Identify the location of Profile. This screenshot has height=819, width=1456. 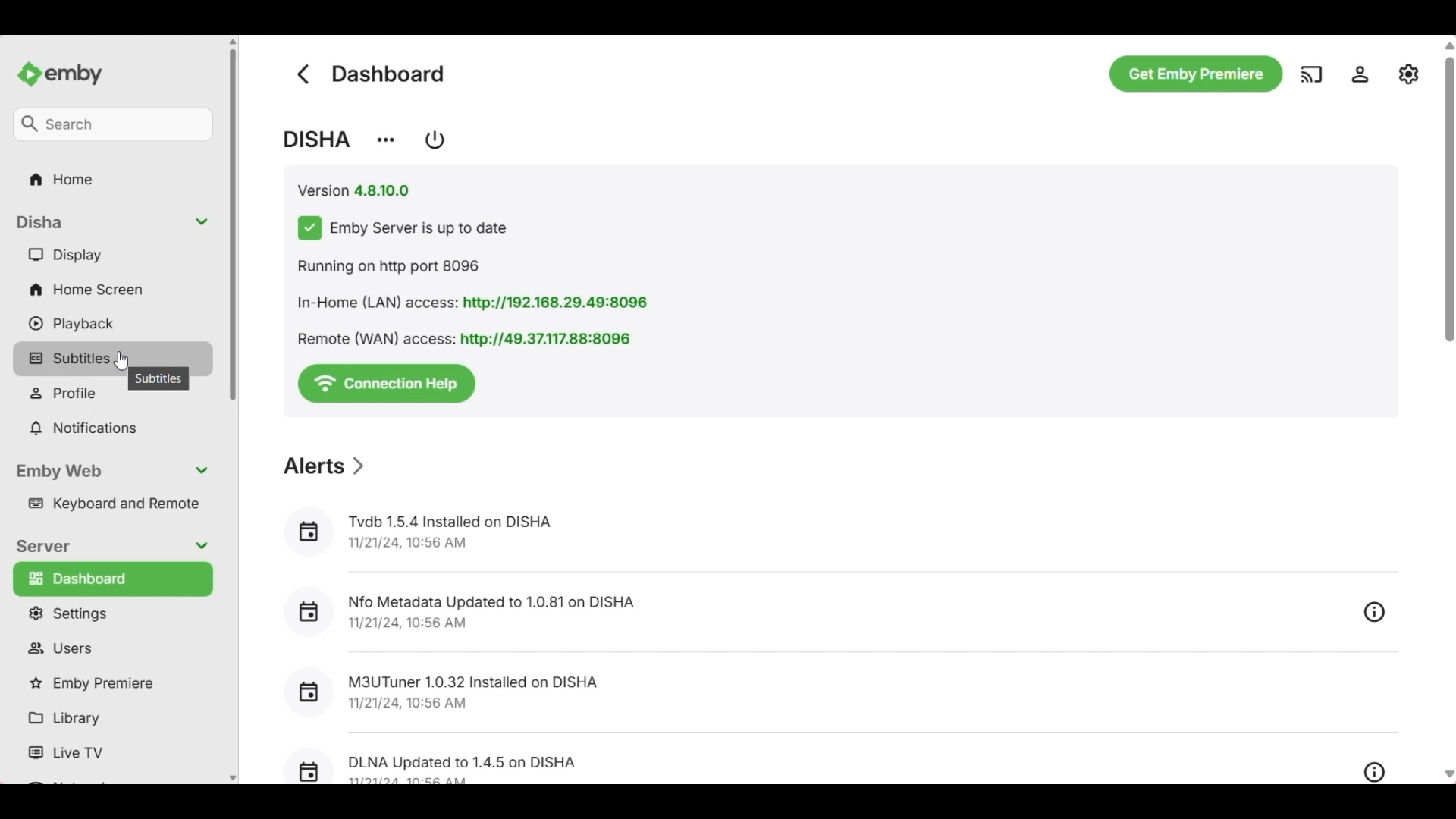
(117, 396).